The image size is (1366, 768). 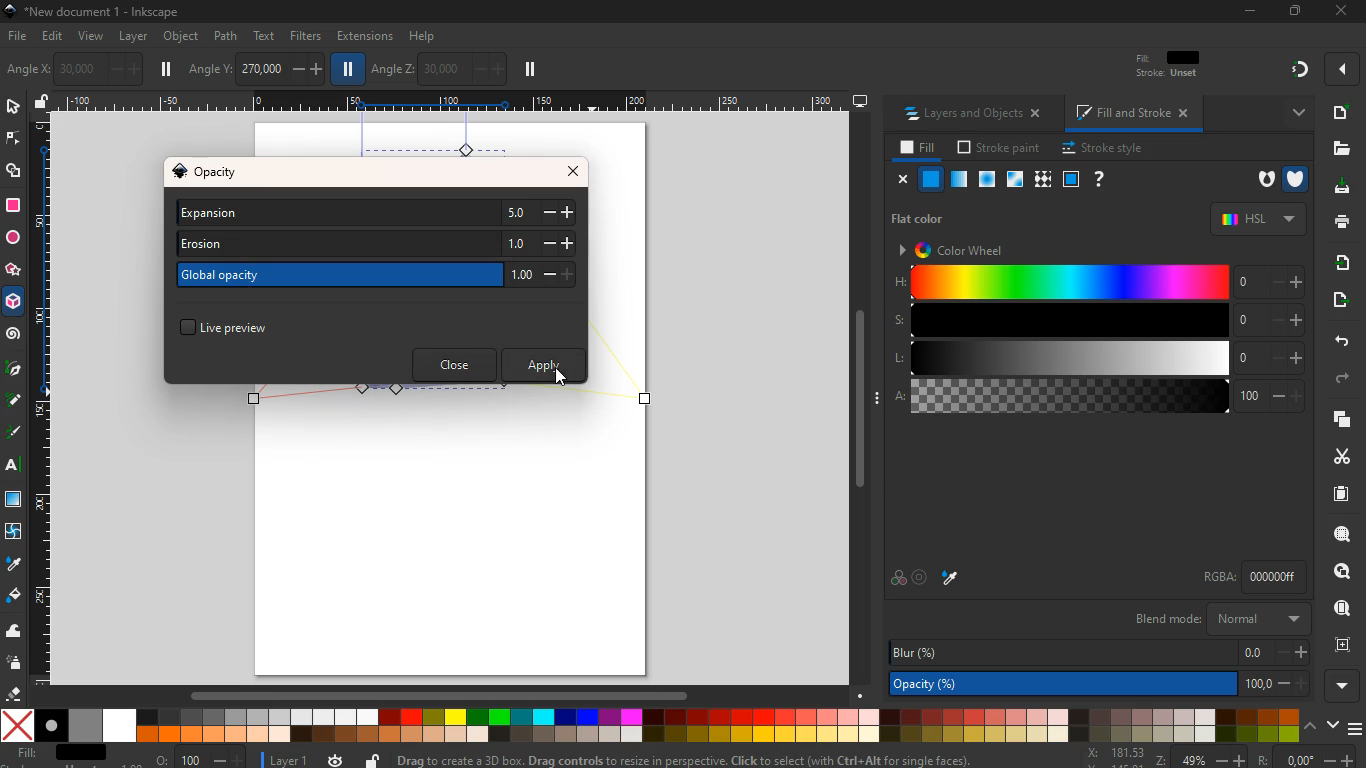 I want to click on pause, so click(x=349, y=70).